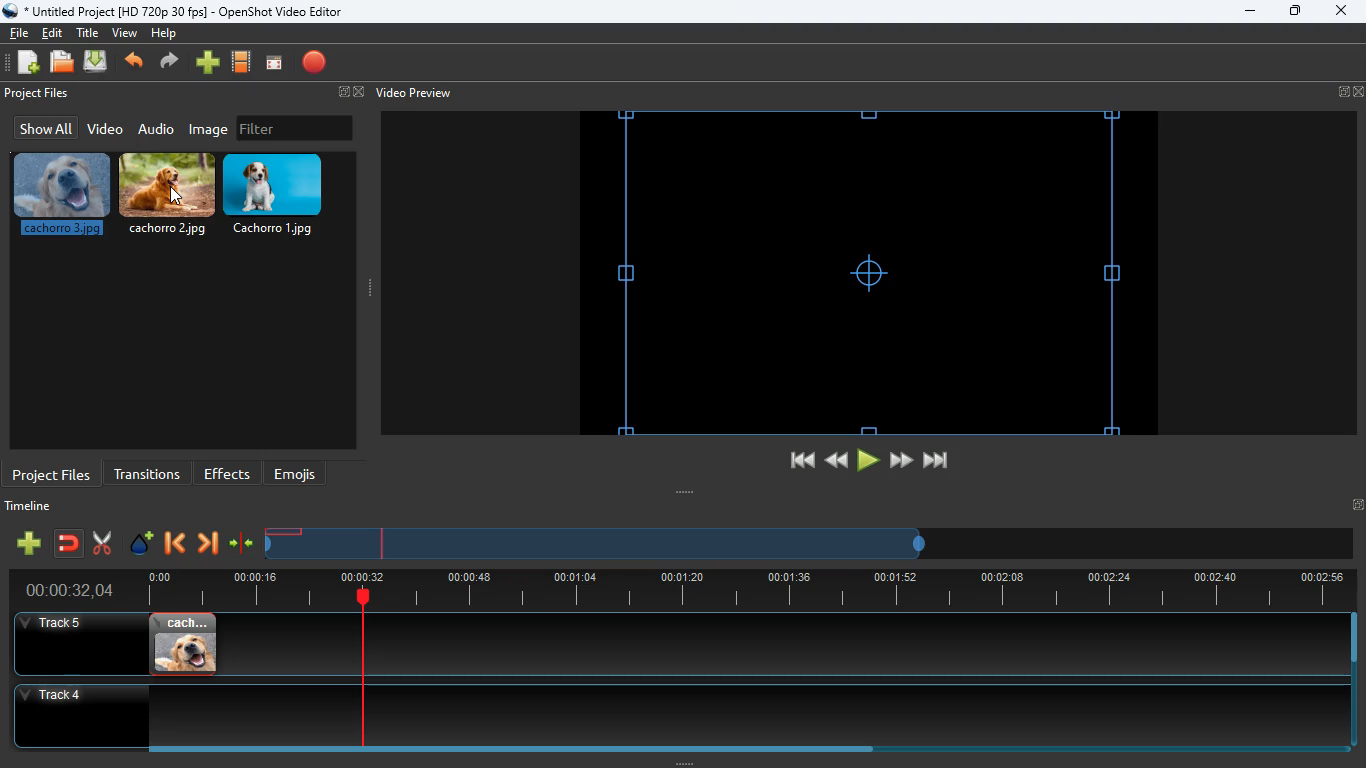 The image size is (1366, 768). What do you see at coordinates (834, 460) in the screenshot?
I see `back` at bounding box center [834, 460].